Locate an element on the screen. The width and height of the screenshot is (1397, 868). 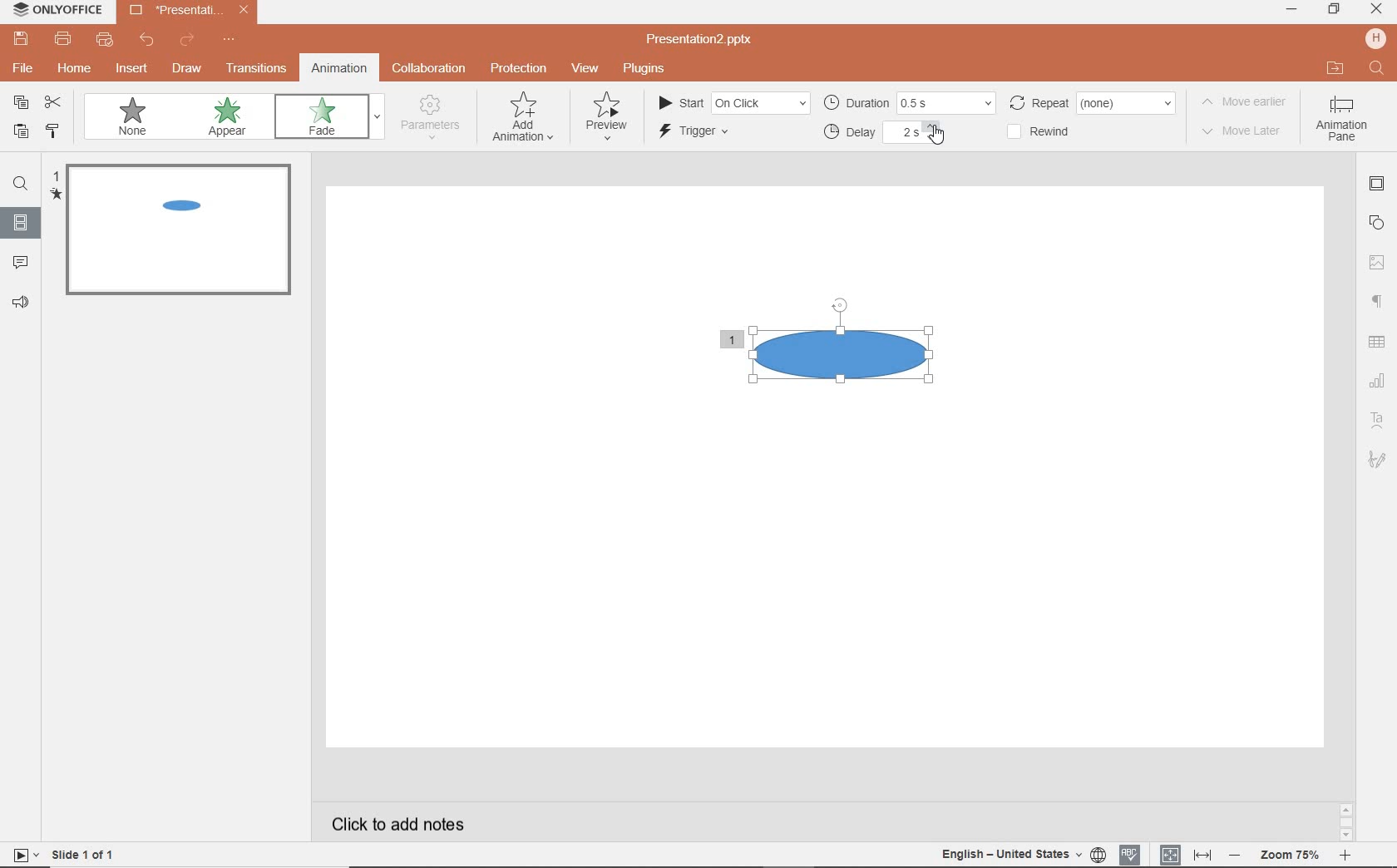
slide 1 is located at coordinates (176, 233).